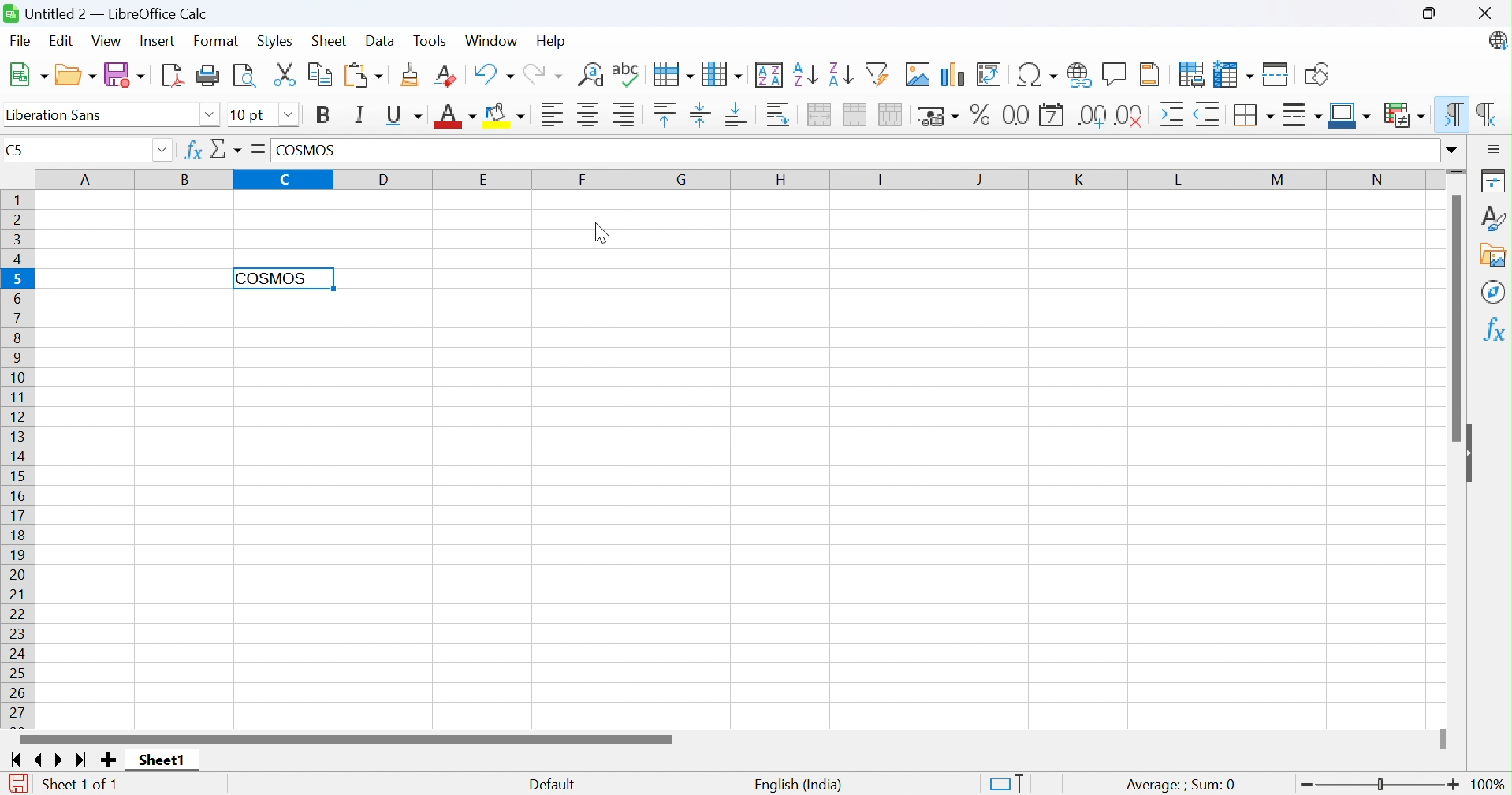  I want to click on Styles, so click(275, 42).